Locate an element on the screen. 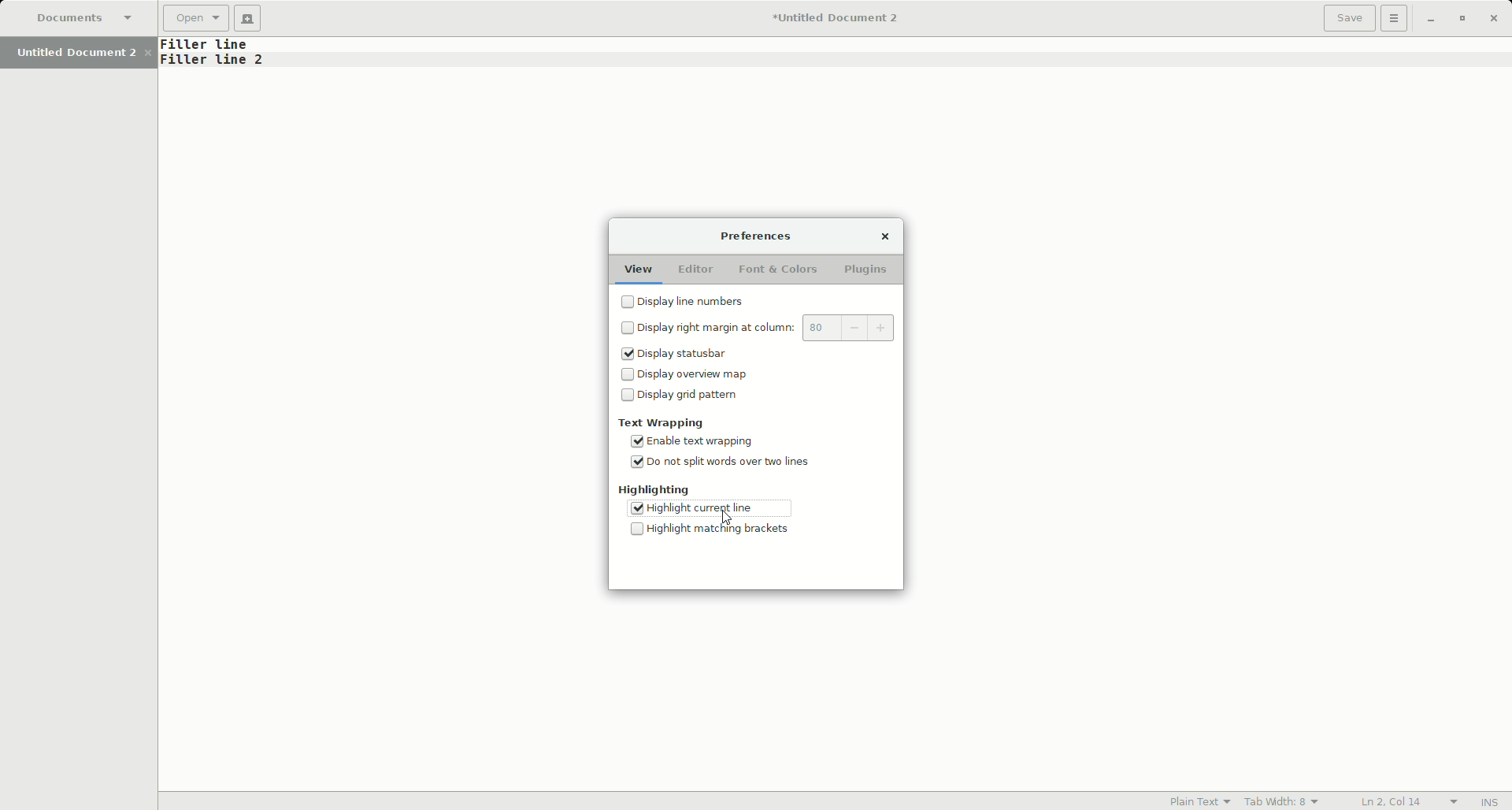 Image resolution: width=1512 pixels, height=810 pixels. Display overview map is located at coordinates (684, 376).